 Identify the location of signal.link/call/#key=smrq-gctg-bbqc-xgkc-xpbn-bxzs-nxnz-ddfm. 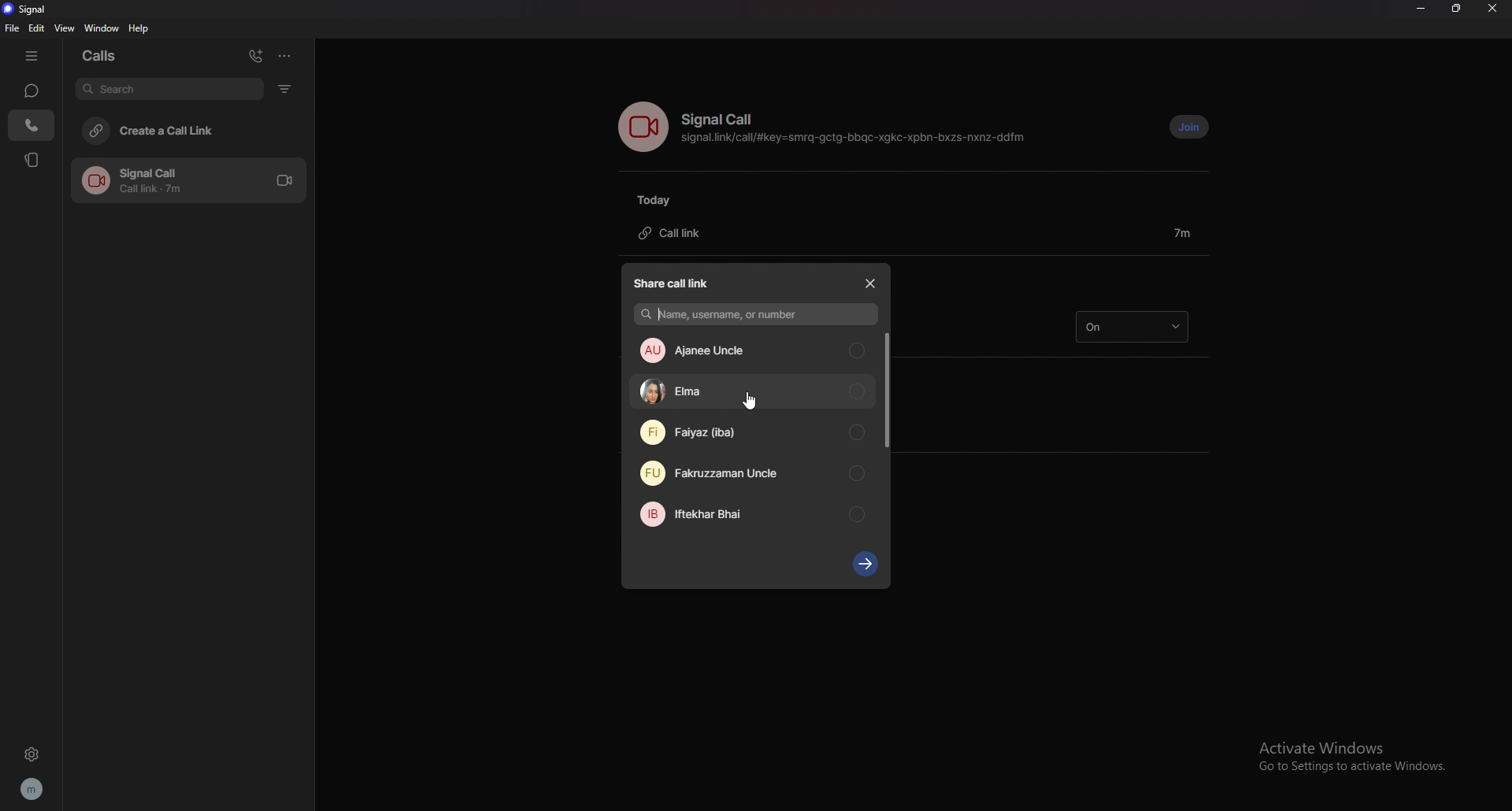
(857, 140).